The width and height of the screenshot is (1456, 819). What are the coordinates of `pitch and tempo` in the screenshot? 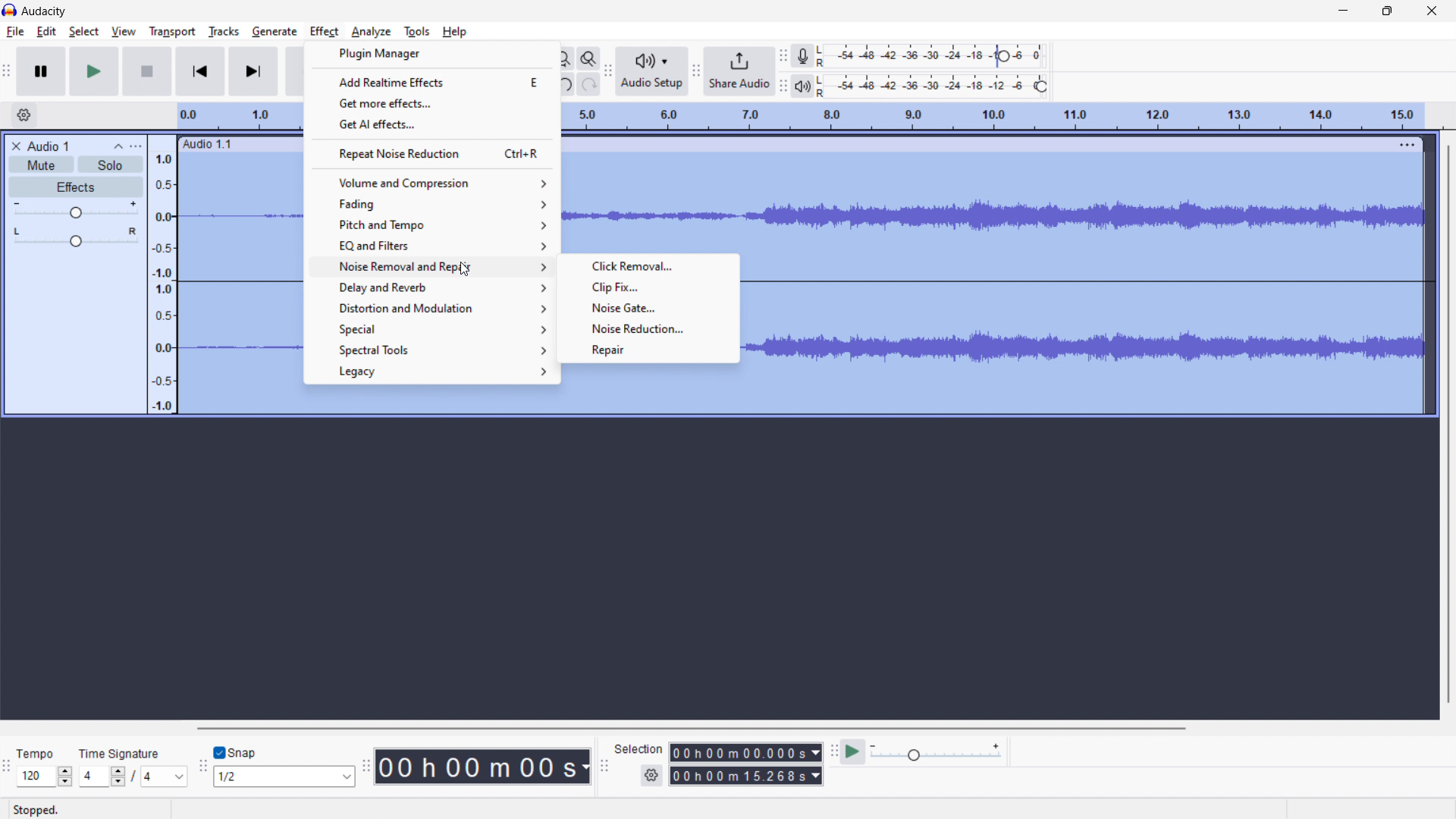 It's located at (431, 224).